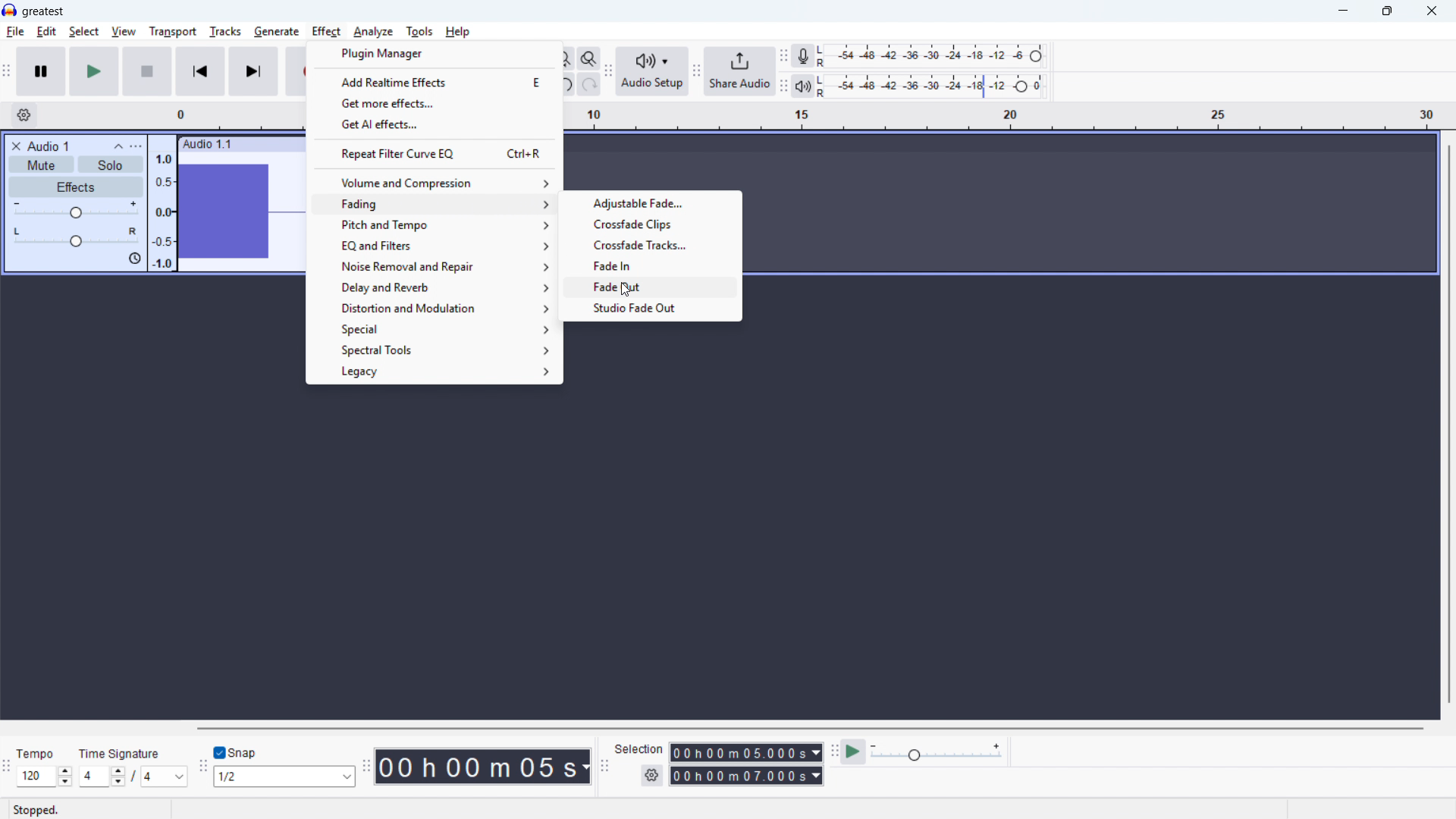 This screenshot has width=1456, height=819. Describe the element at coordinates (435, 309) in the screenshot. I see `Distortion and modulation ` at that location.